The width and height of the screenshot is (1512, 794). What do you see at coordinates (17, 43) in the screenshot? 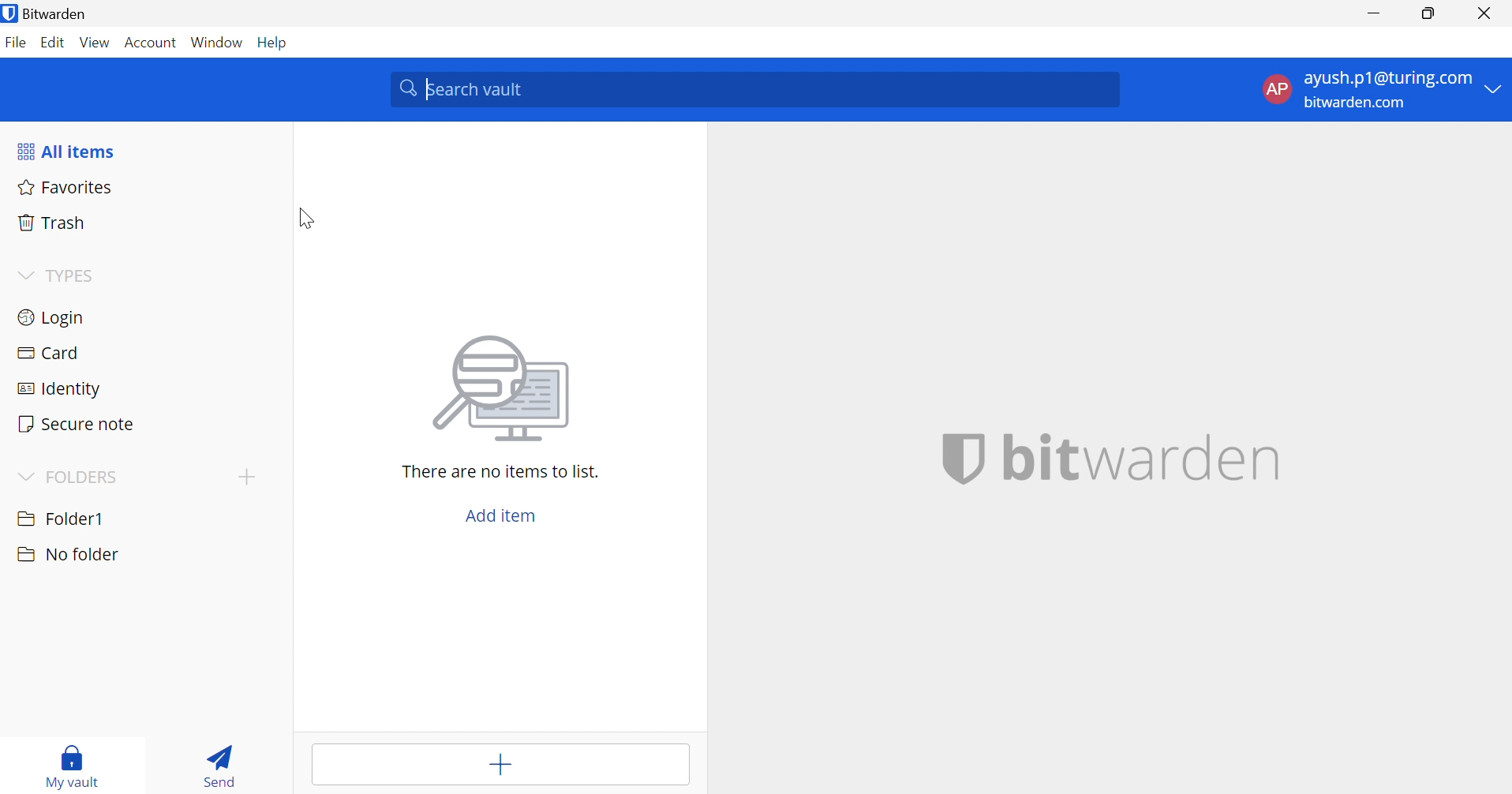
I see `File` at bounding box center [17, 43].